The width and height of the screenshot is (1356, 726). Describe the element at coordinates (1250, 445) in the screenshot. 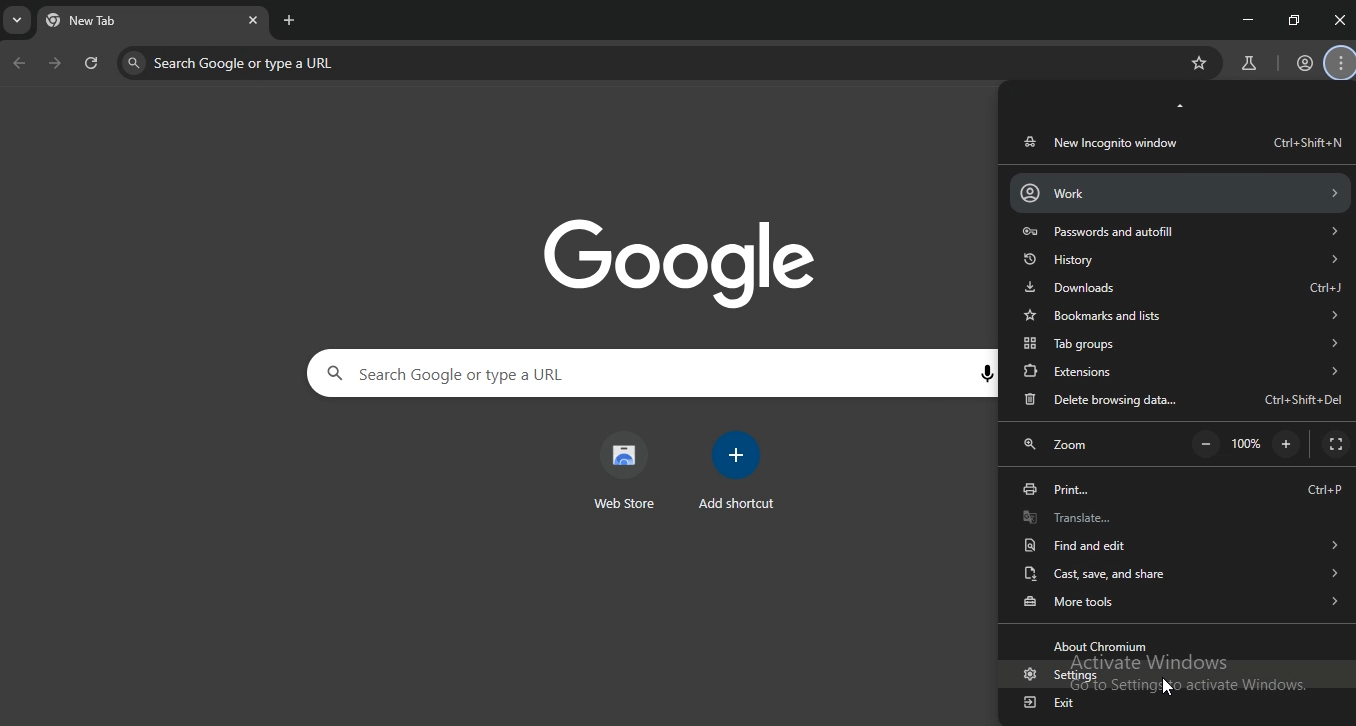

I see `100%` at that location.